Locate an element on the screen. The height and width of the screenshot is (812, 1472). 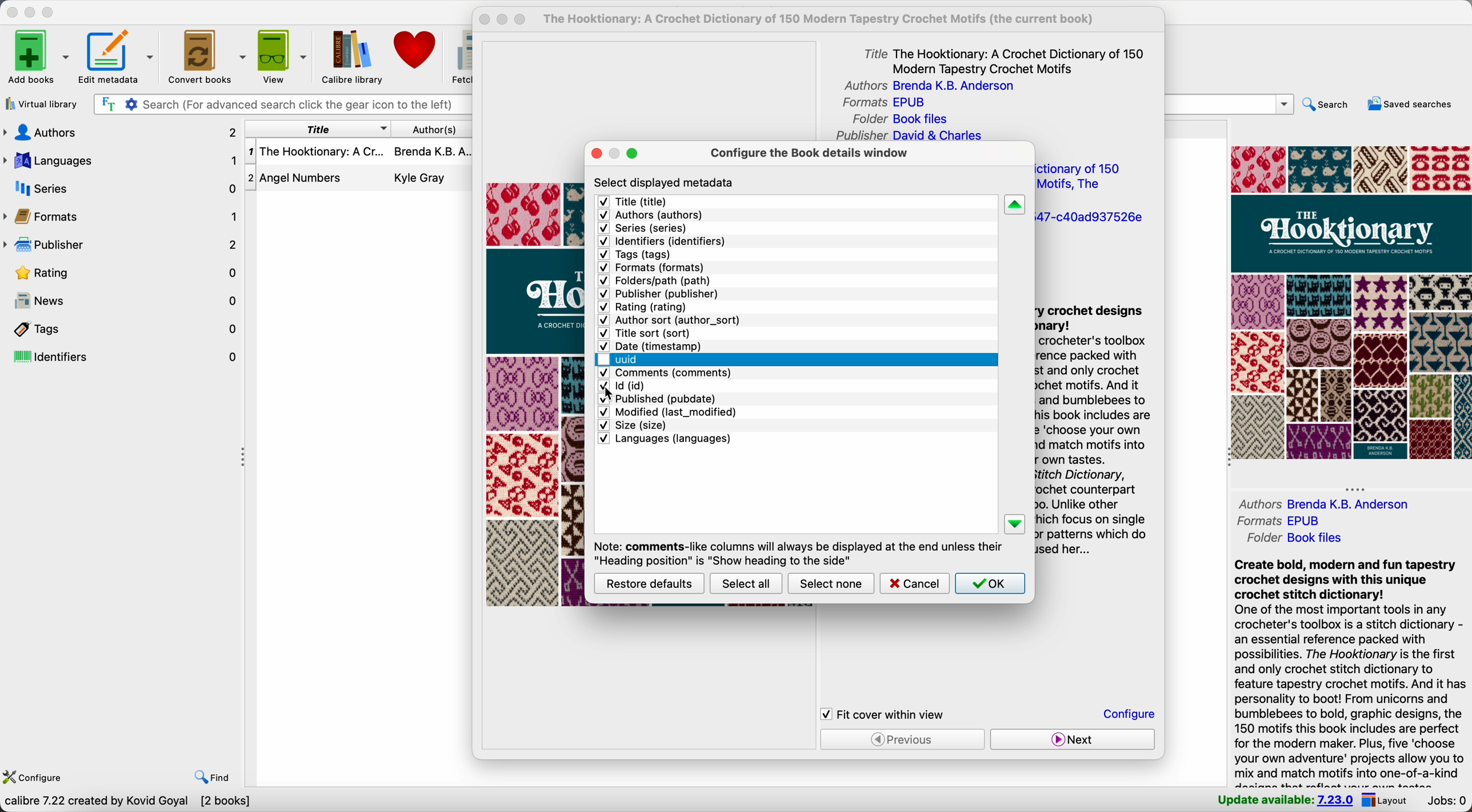
publisher is located at coordinates (660, 294).